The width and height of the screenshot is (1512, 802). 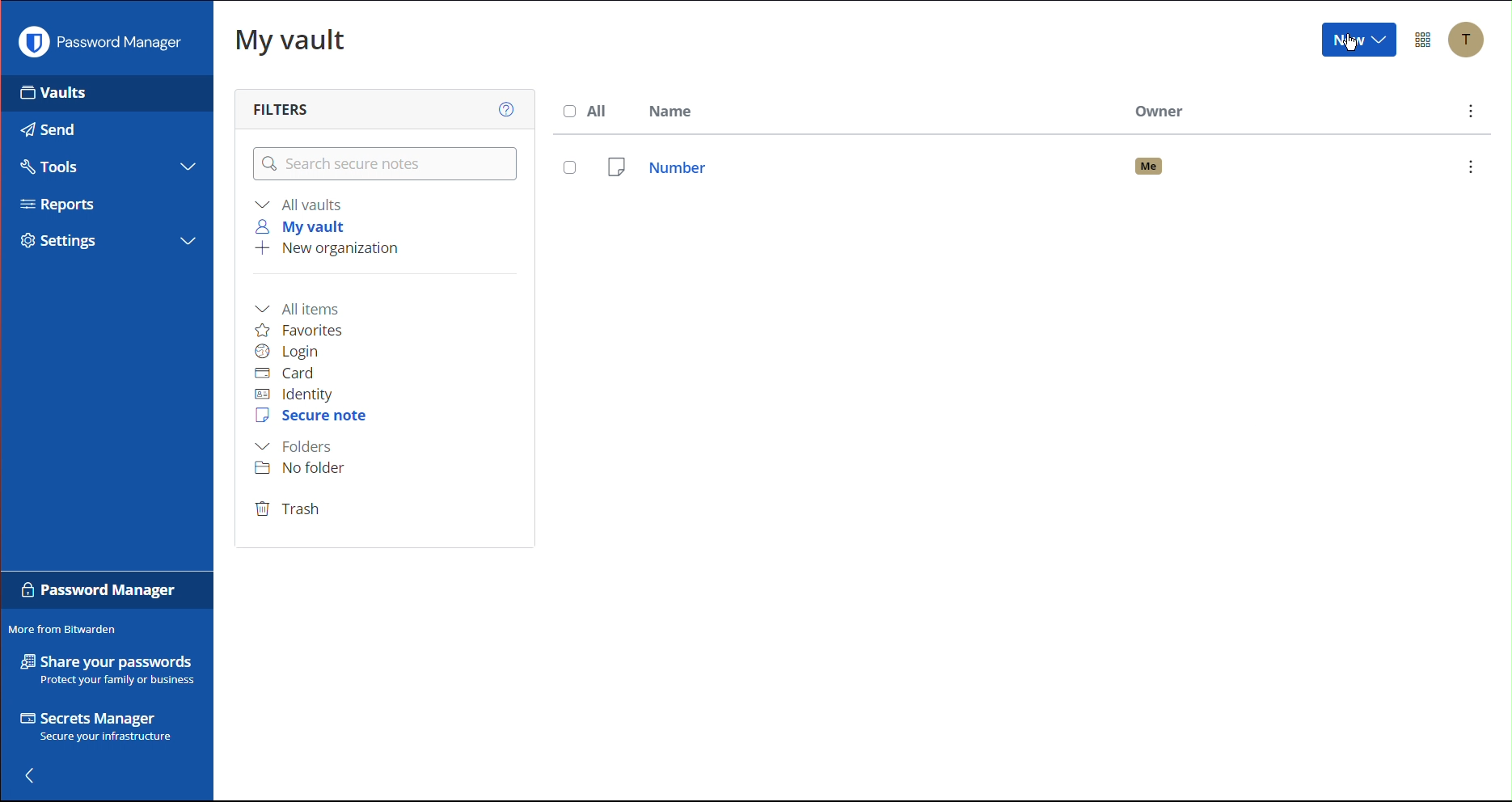 I want to click on Options, so click(x=1425, y=40).